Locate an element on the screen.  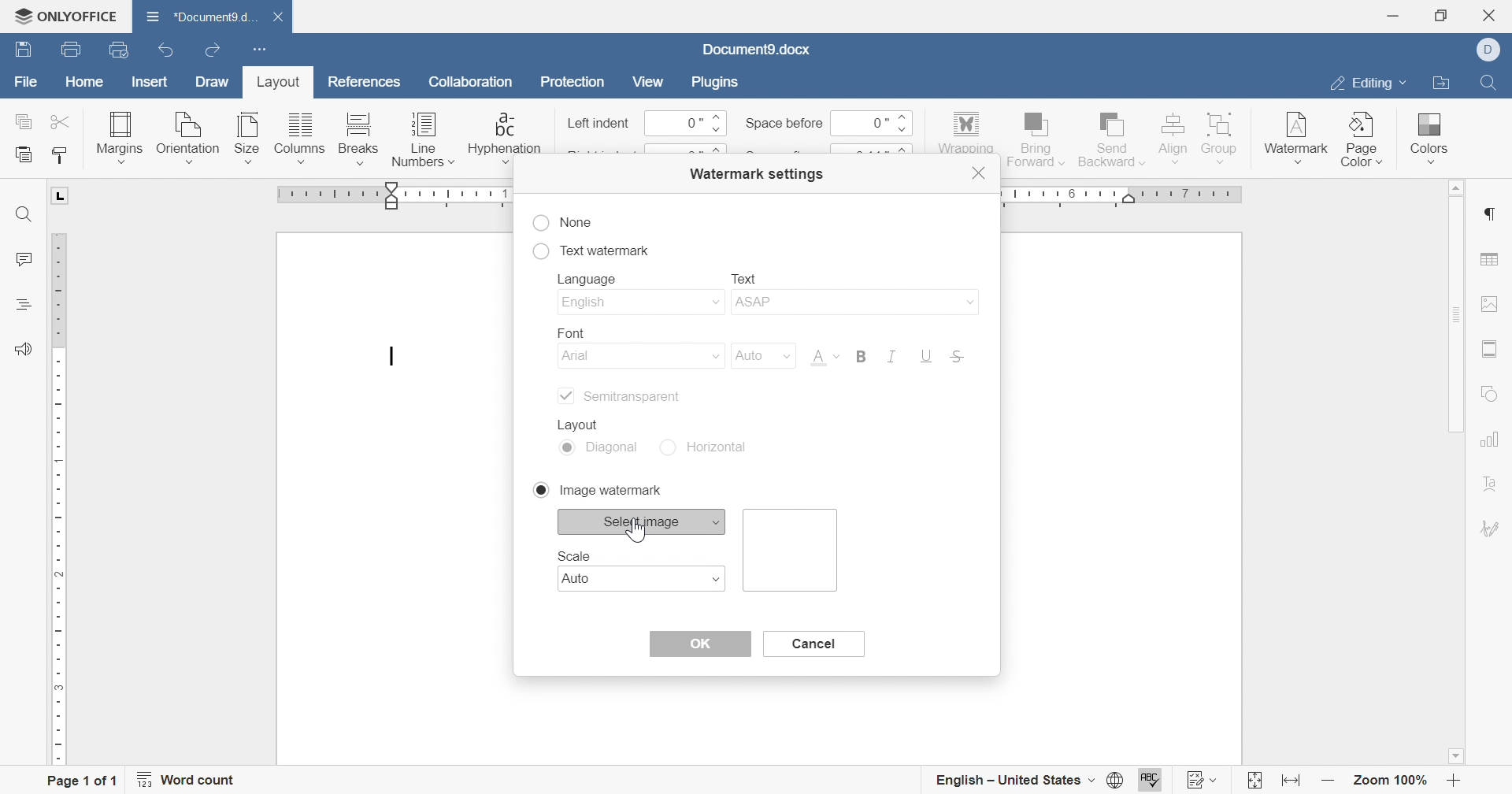
auto is located at coordinates (758, 355).